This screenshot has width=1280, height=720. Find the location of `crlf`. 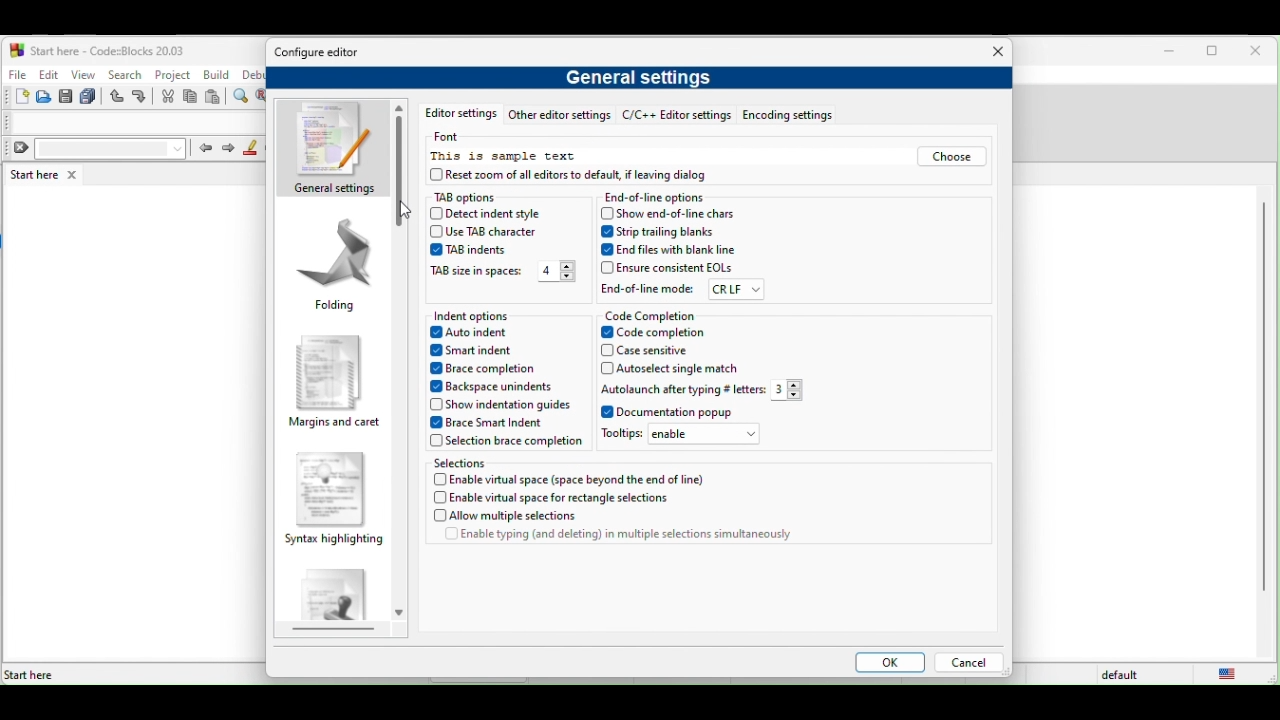

crlf is located at coordinates (736, 290).